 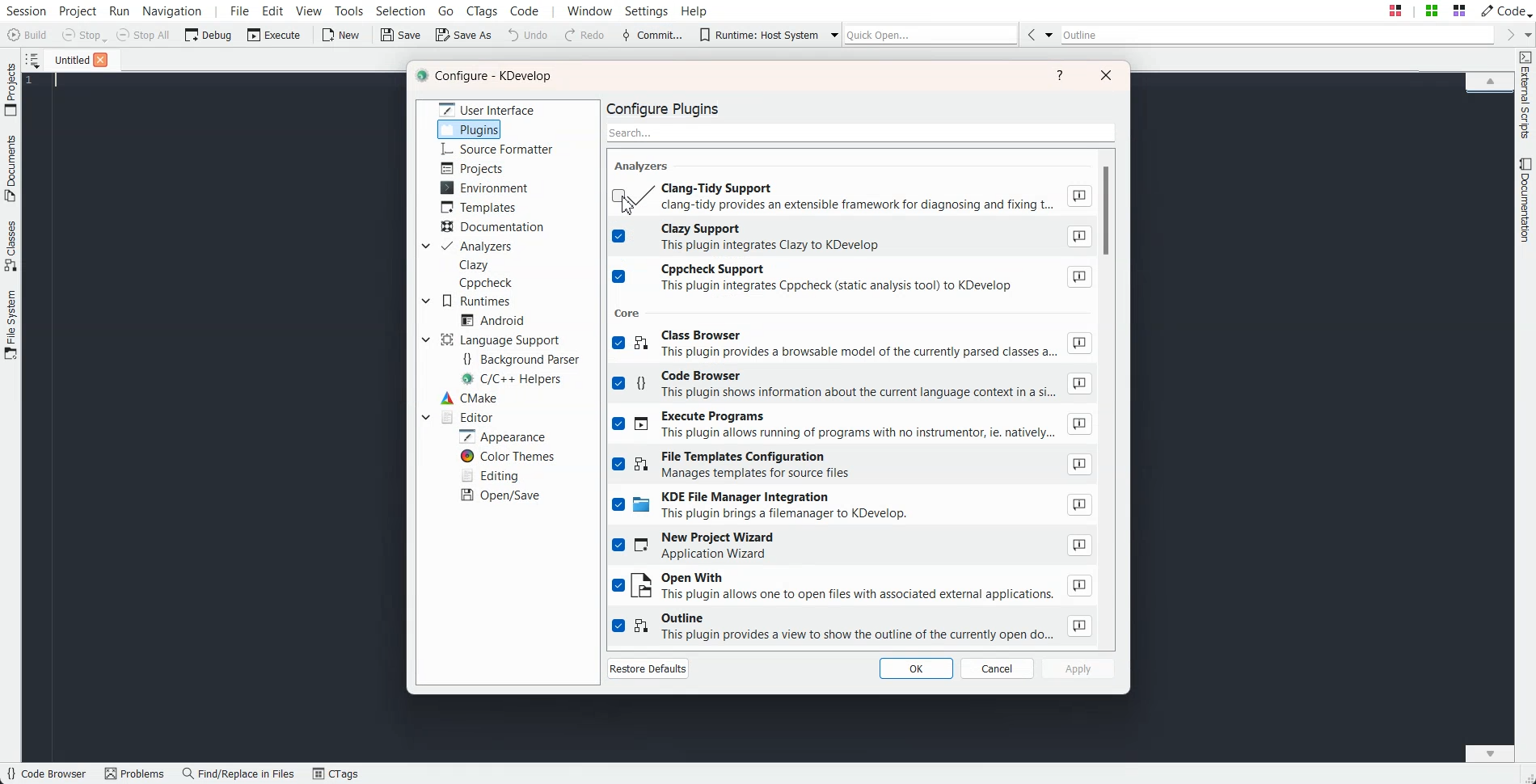 What do you see at coordinates (239, 773) in the screenshot?
I see `Find/Replace in files` at bounding box center [239, 773].